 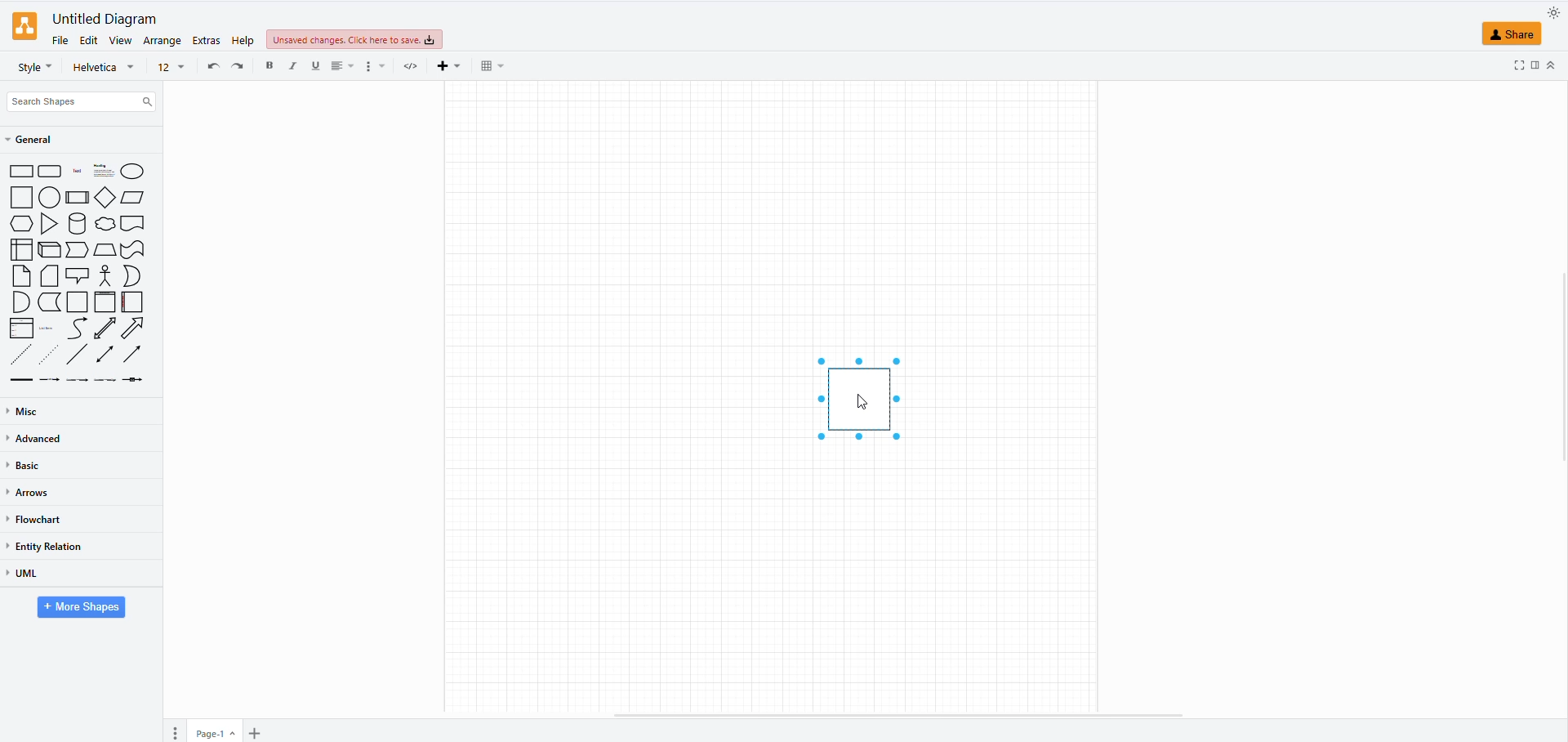 What do you see at coordinates (35, 67) in the screenshot?
I see `style` at bounding box center [35, 67].